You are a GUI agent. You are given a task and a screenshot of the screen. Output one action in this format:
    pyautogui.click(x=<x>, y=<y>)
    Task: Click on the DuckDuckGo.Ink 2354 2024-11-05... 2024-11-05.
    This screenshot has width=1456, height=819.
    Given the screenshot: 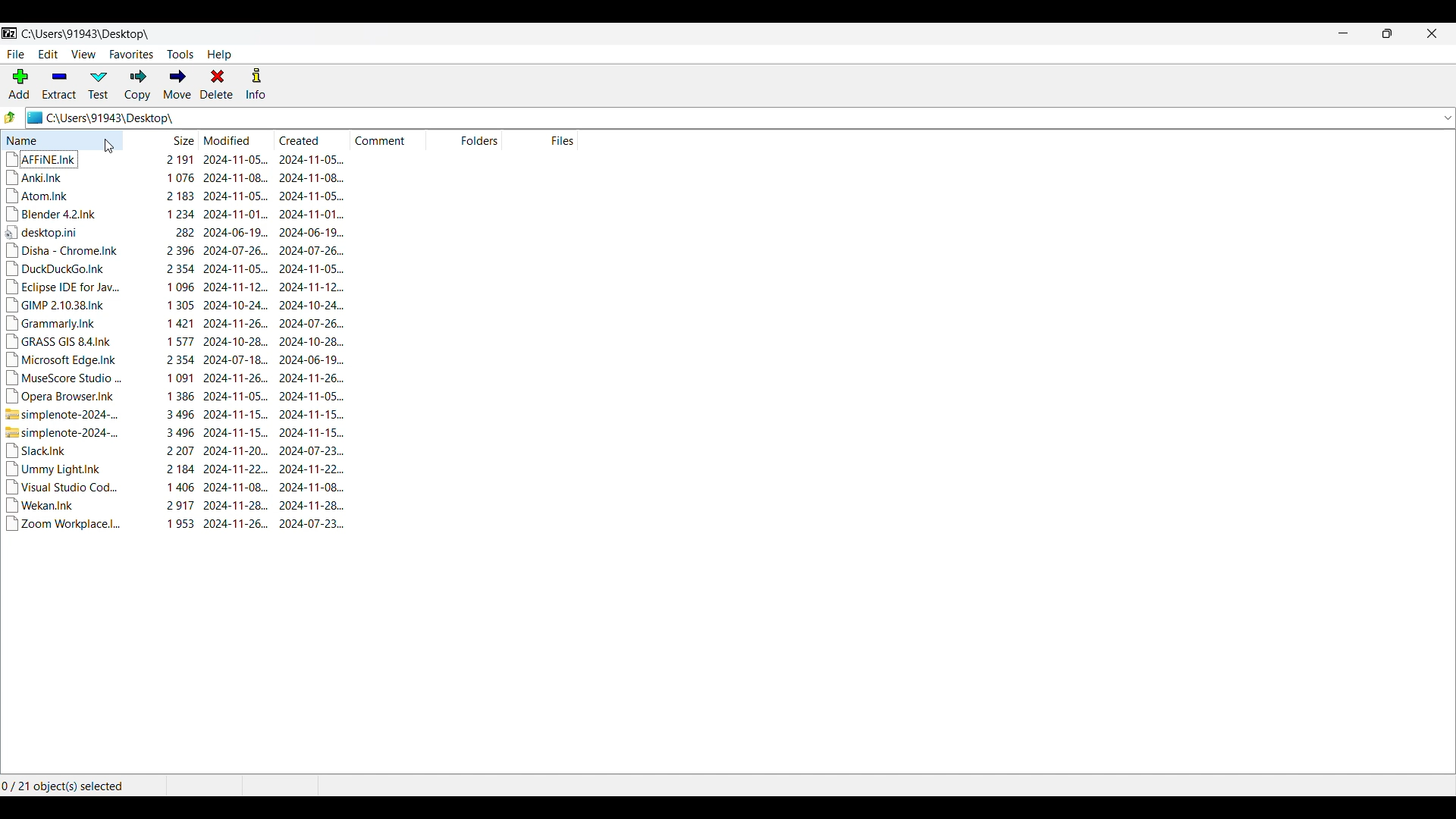 What is the action you would take?
    pyautogui.click(x=177, y=269)
    